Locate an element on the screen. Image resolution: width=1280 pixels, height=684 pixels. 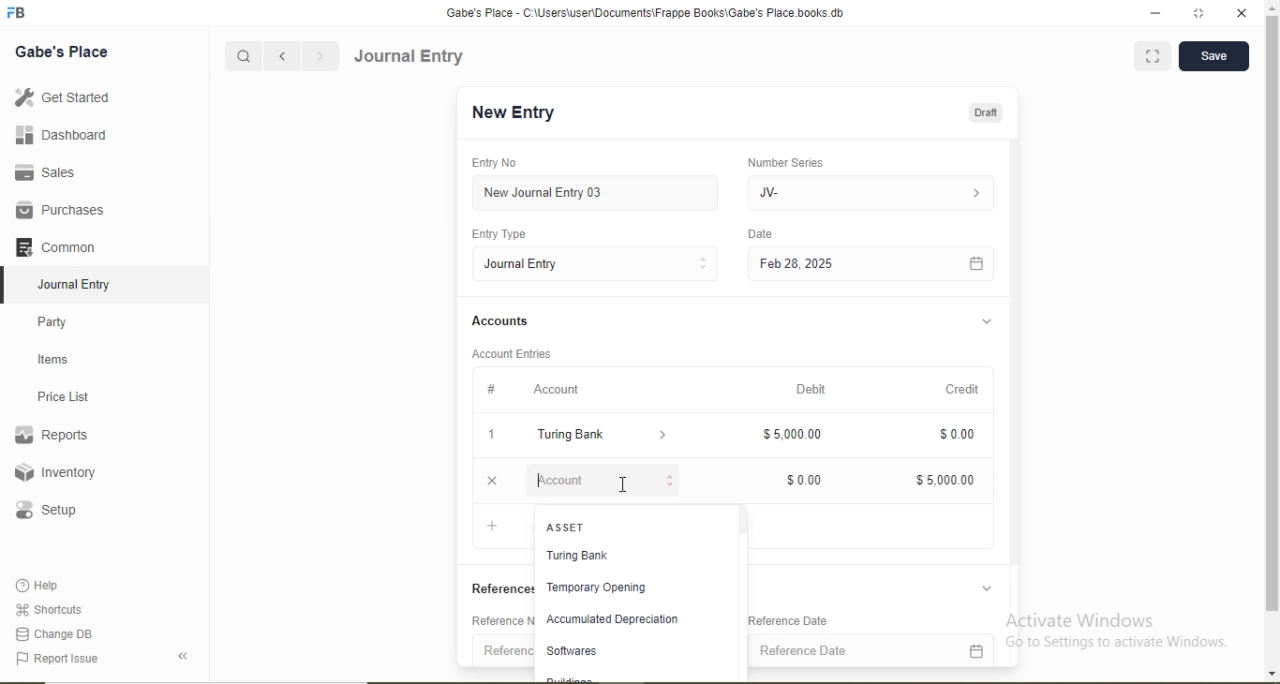
Help is located at coordinates (39, 585).